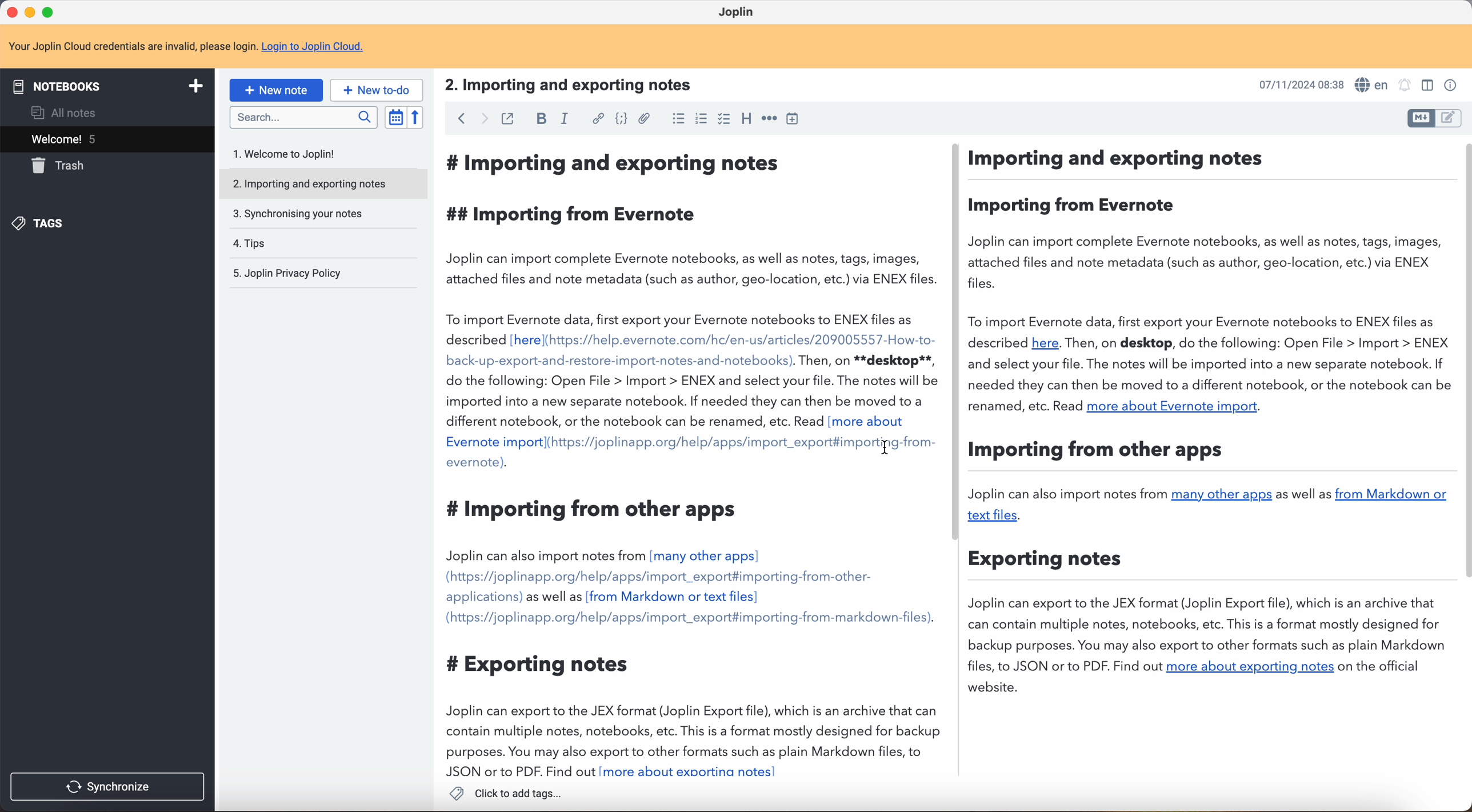 The image size is (1472, 812). Describe the element at coordinates (32, 11) in the screenshot. I see `minimize` at that location.